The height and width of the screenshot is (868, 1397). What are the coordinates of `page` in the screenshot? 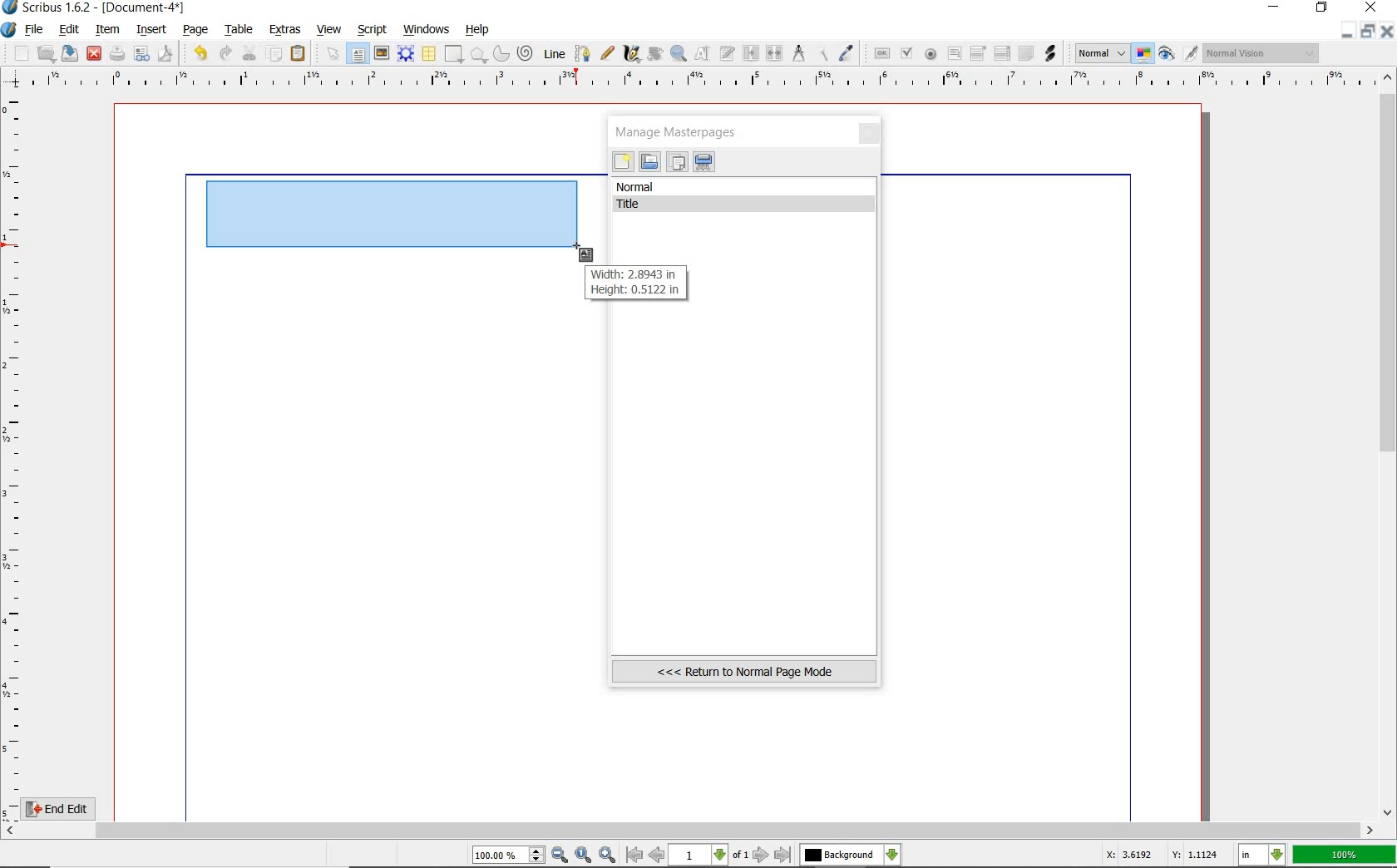 It's located at (196, 28).